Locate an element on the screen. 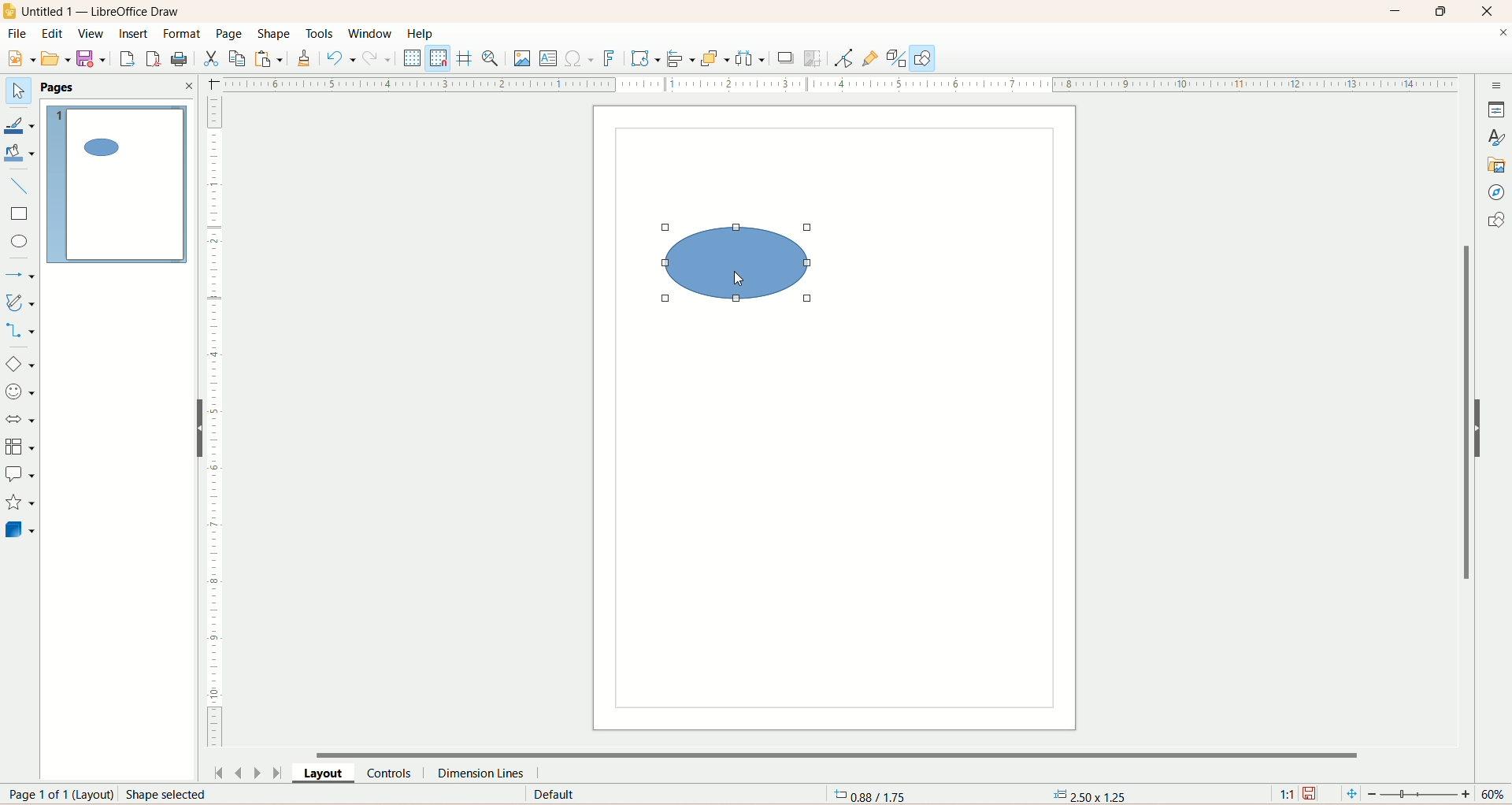 Image resolution: width=1512 pixels, height=805 pixels. tools is located at coordinates (320, 35).